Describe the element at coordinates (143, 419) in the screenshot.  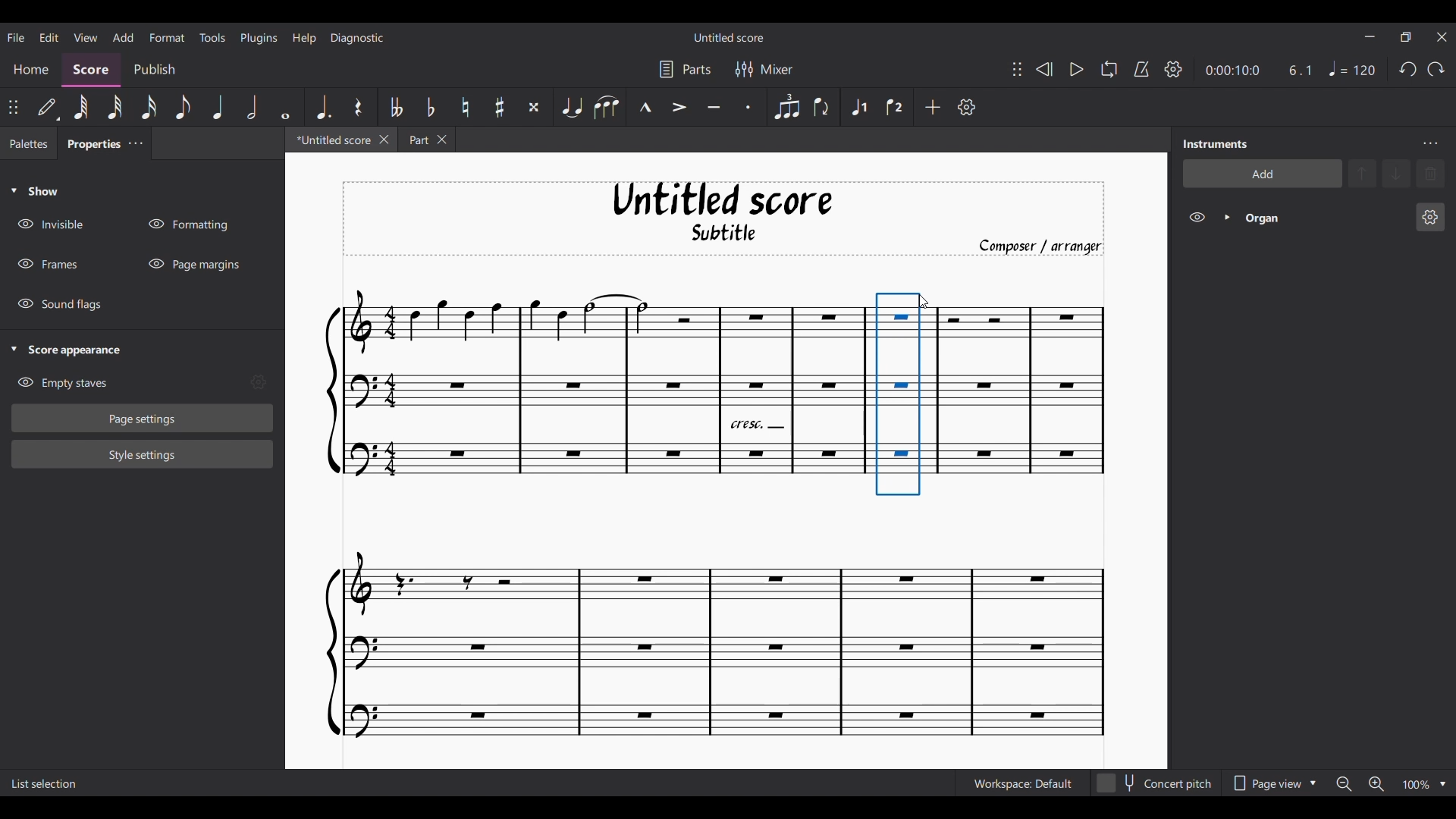
I see `Page settings` at that location.